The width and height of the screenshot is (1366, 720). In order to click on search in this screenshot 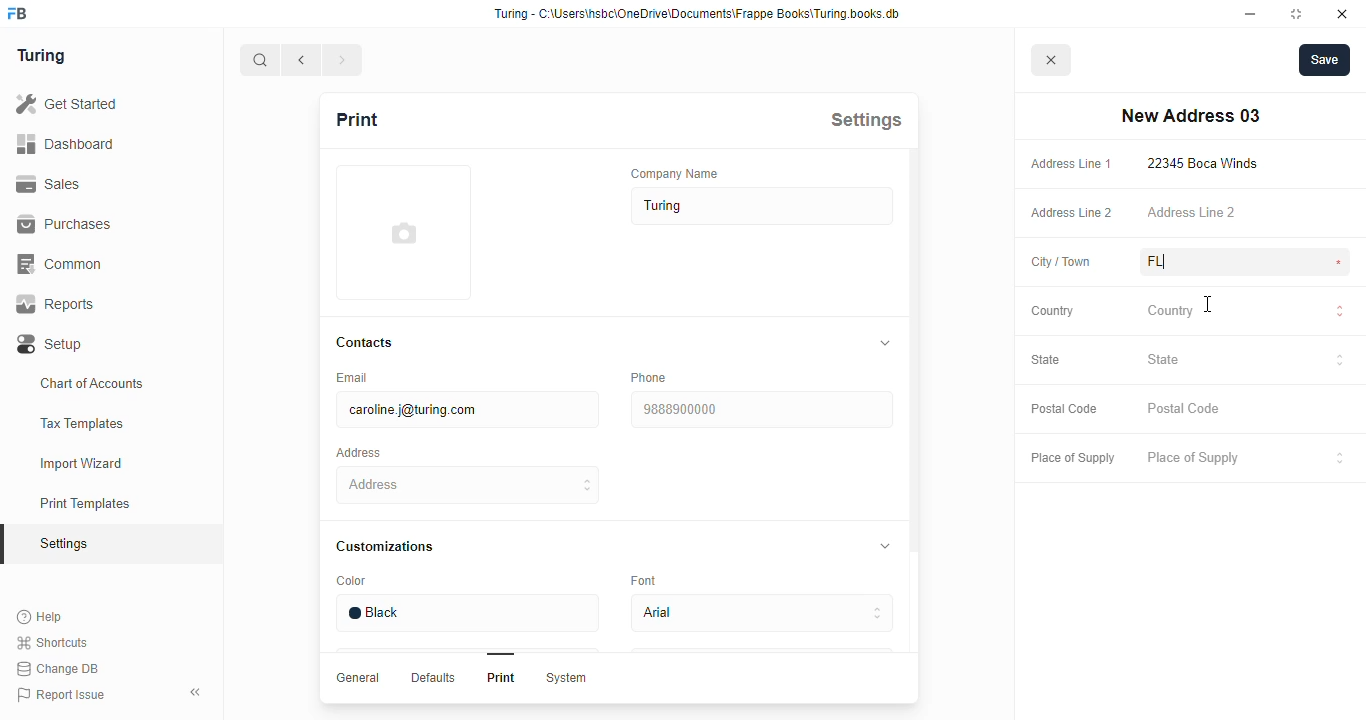, I will do `click(260, 60)`.